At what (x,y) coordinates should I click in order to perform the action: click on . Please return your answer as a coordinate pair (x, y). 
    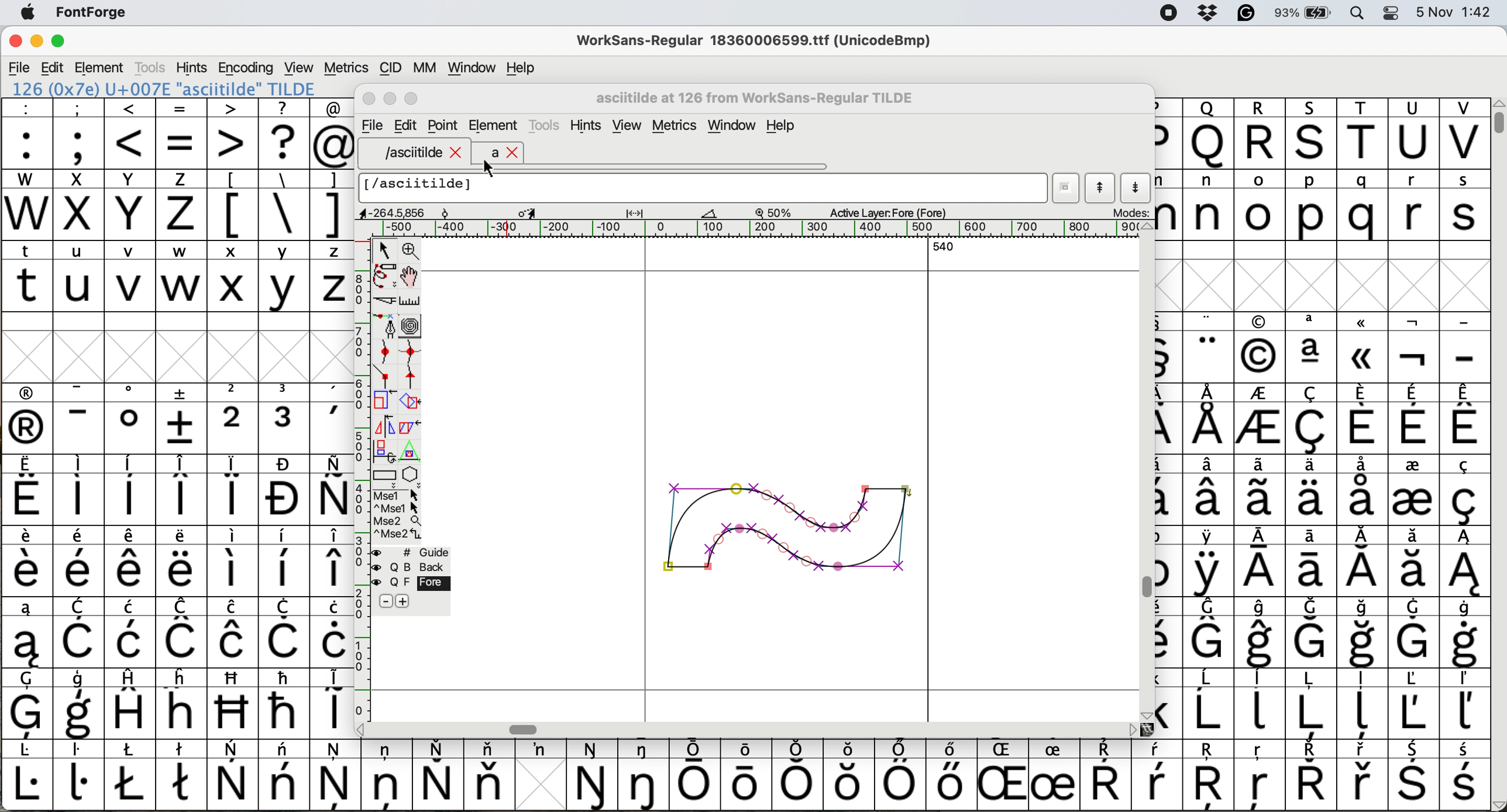
    Looking at the image, I should click on (1364, 347).